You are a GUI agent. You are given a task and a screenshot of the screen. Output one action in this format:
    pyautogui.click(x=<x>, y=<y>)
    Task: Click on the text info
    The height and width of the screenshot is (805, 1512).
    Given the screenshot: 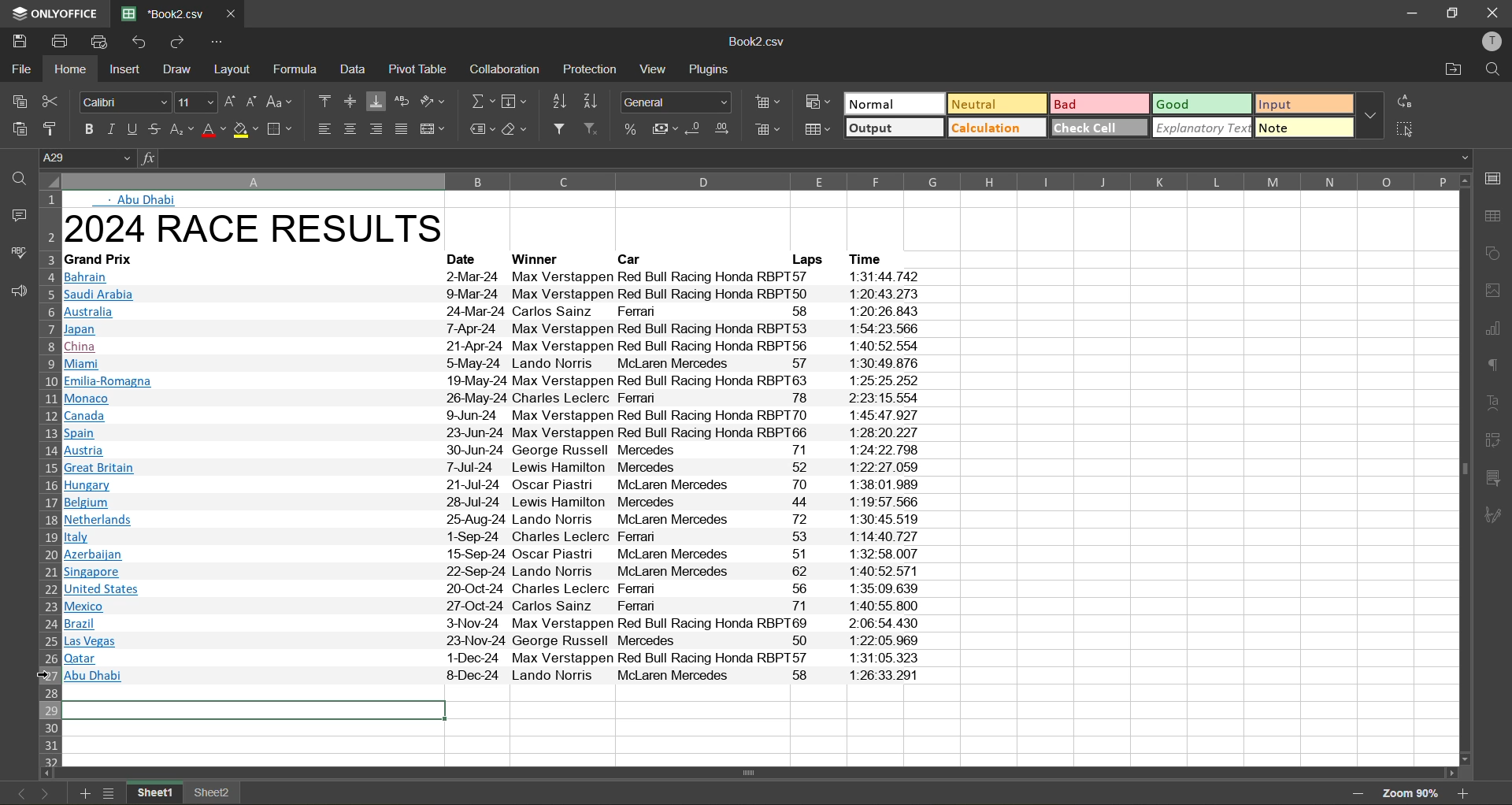 What is the action you would take?
    pyautogui.click(x=495, y=414)
    